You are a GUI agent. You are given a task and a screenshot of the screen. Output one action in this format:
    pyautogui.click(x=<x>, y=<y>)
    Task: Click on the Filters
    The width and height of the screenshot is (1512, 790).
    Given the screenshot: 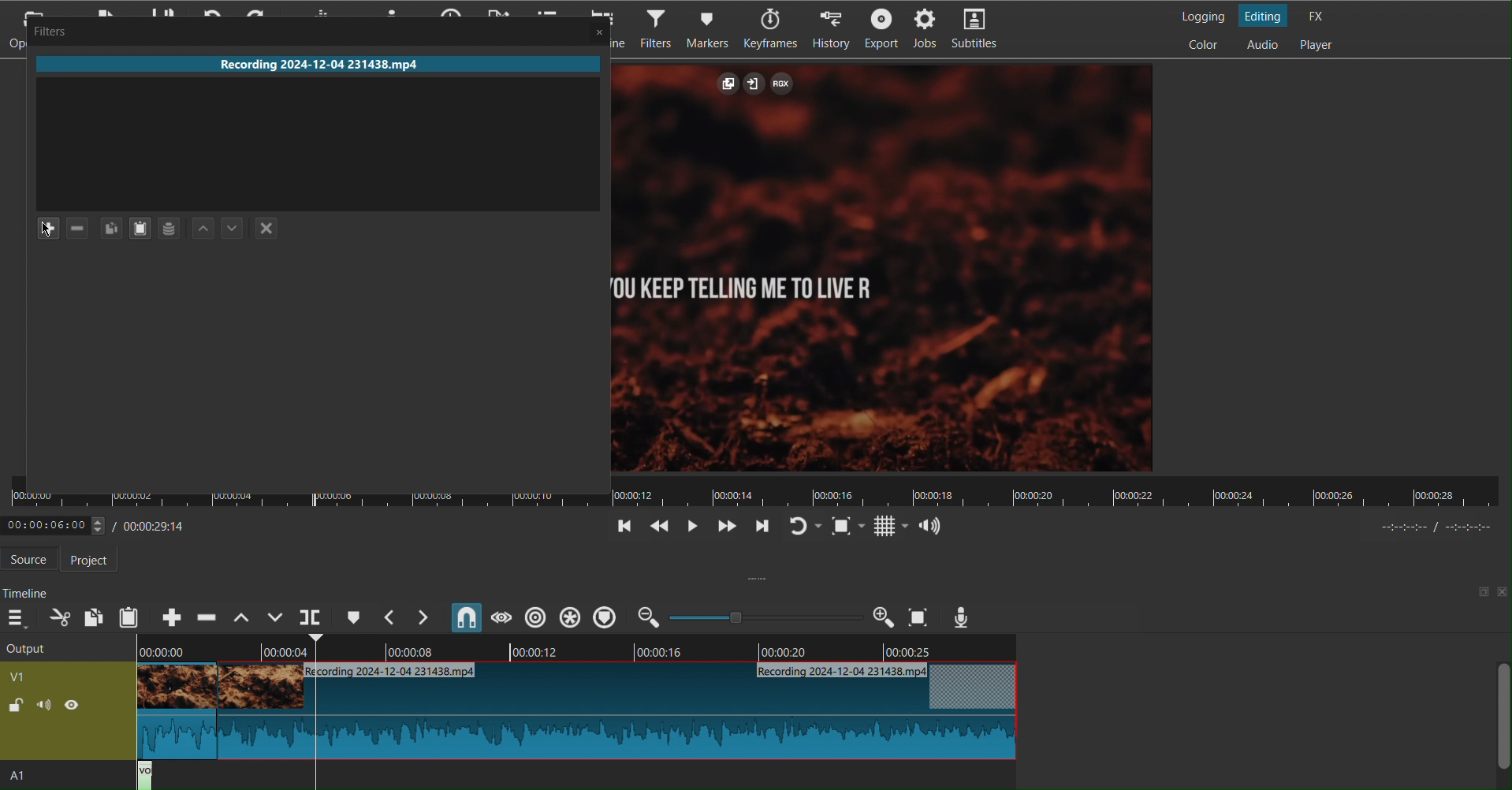 What is the action you would take?
    pyautogui.click(x=653, y=28)
    